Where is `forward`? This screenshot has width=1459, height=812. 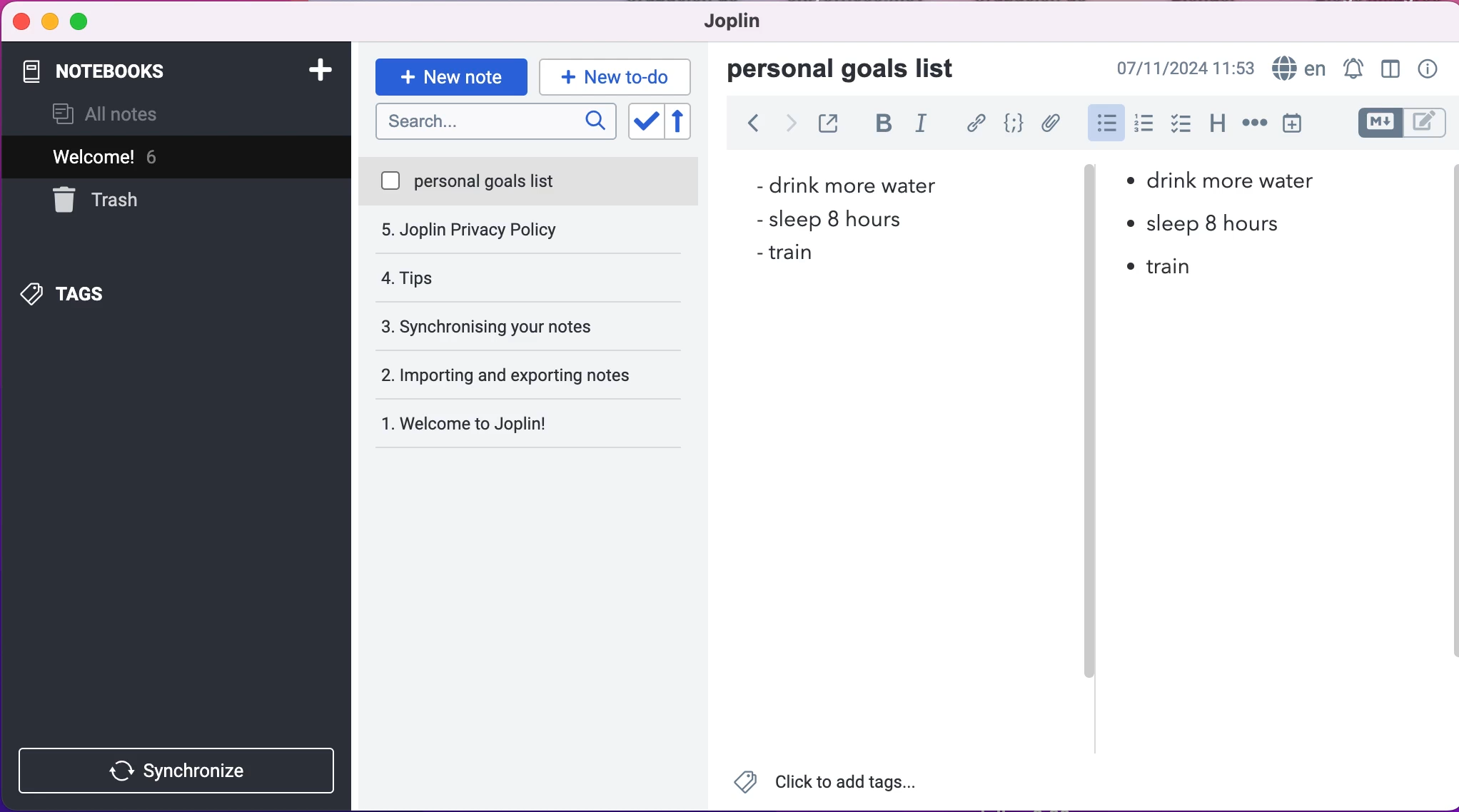 forward is located at coordinates (792, 126).